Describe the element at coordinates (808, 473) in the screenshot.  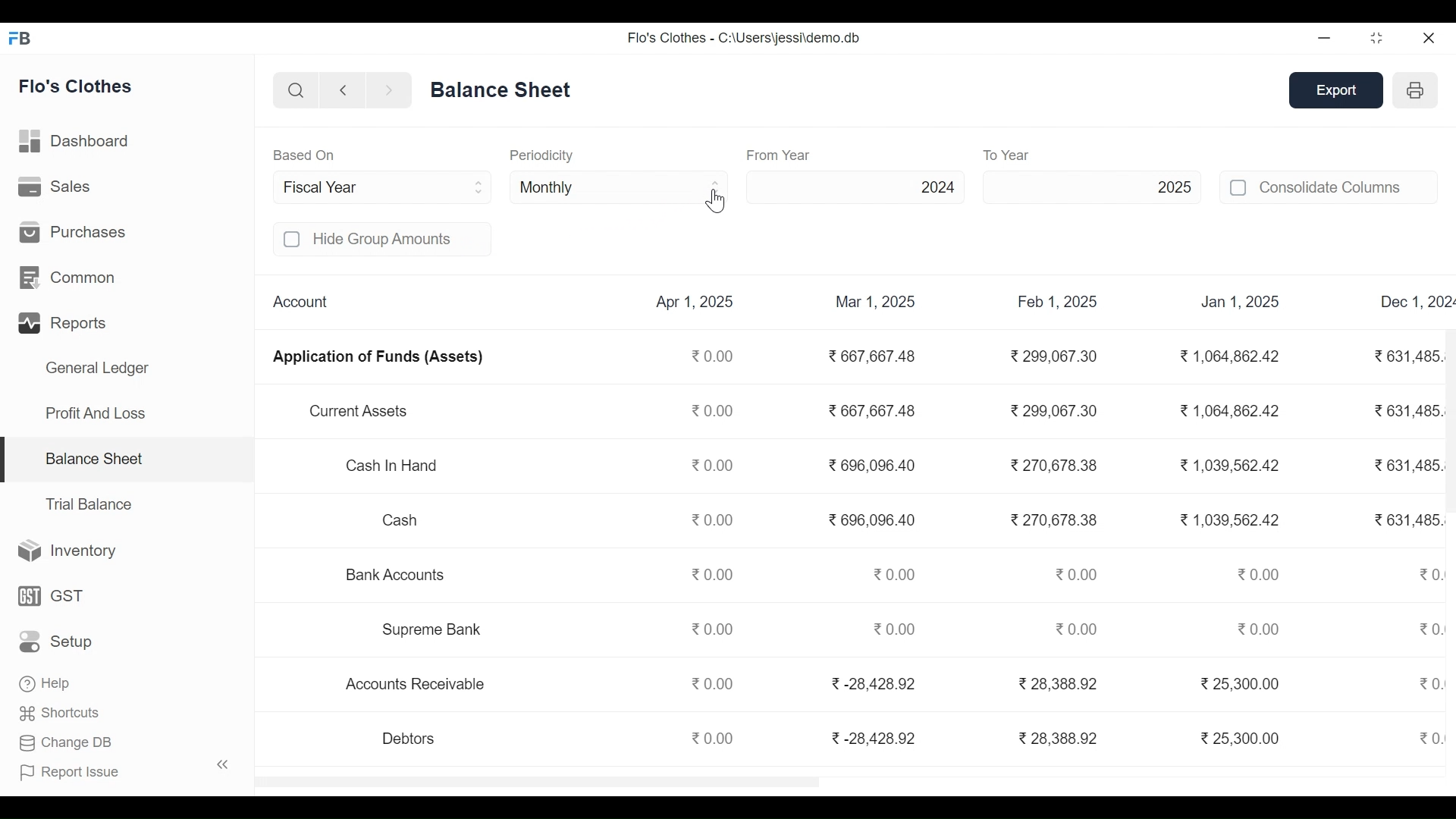
I see `Cash In Hand 0.00 3 696,096.40 %270,678.38 %1,039,562.42` at that location.